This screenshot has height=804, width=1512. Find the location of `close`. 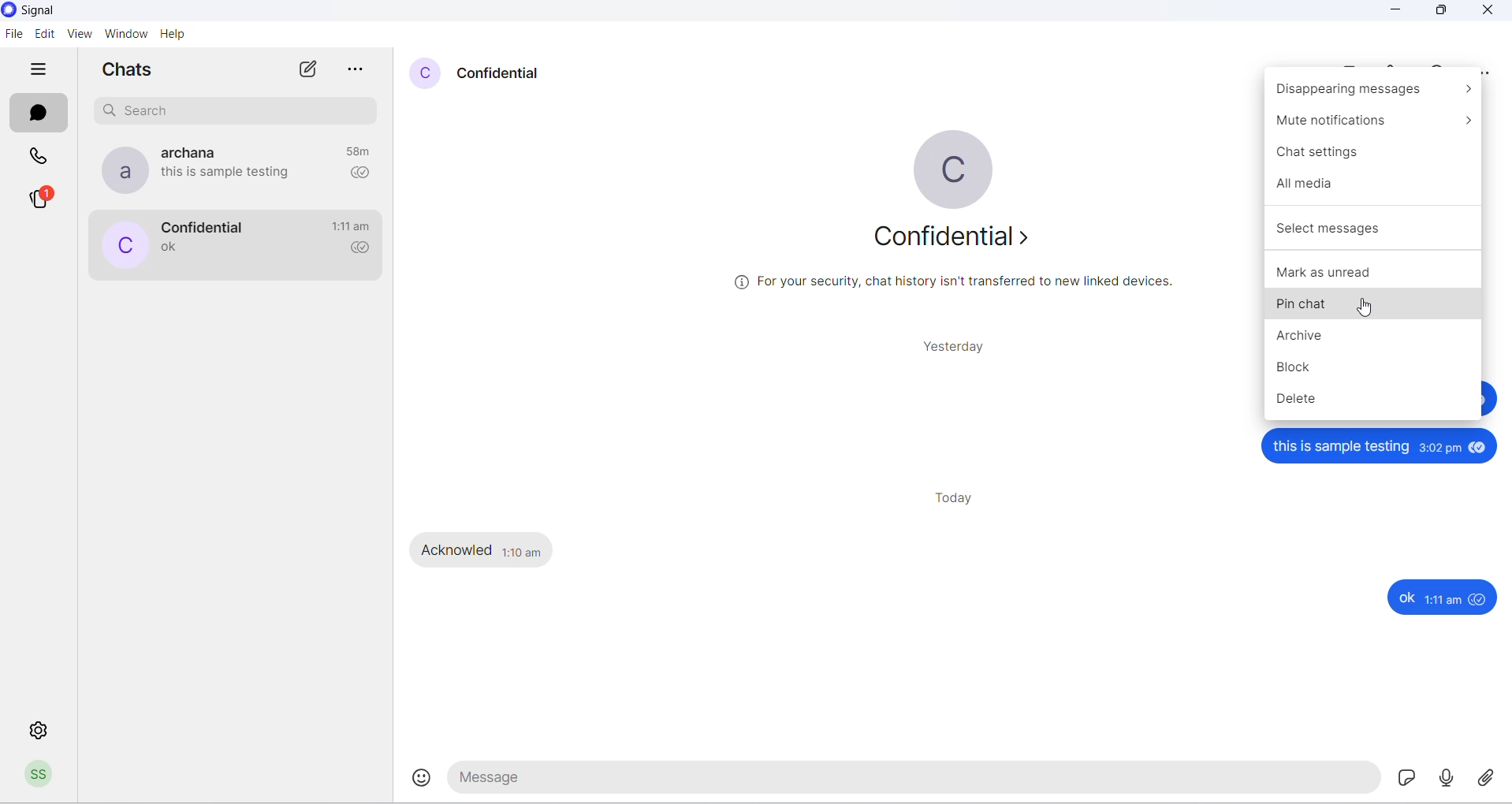

close is located at coordinates (1486, 13).